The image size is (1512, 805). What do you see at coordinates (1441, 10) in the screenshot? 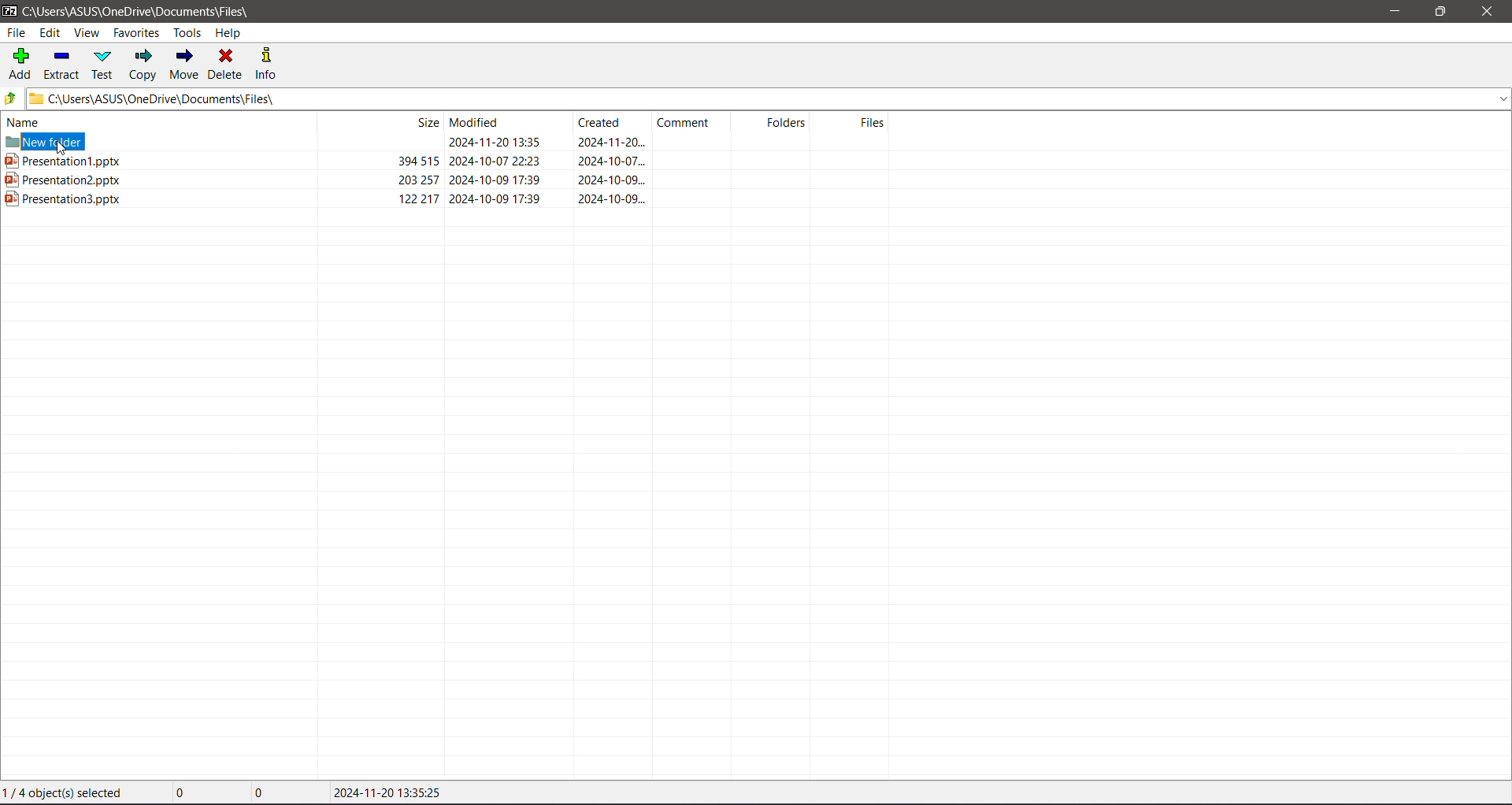
I see `Restore Down` at bounding box center [1441, 10].